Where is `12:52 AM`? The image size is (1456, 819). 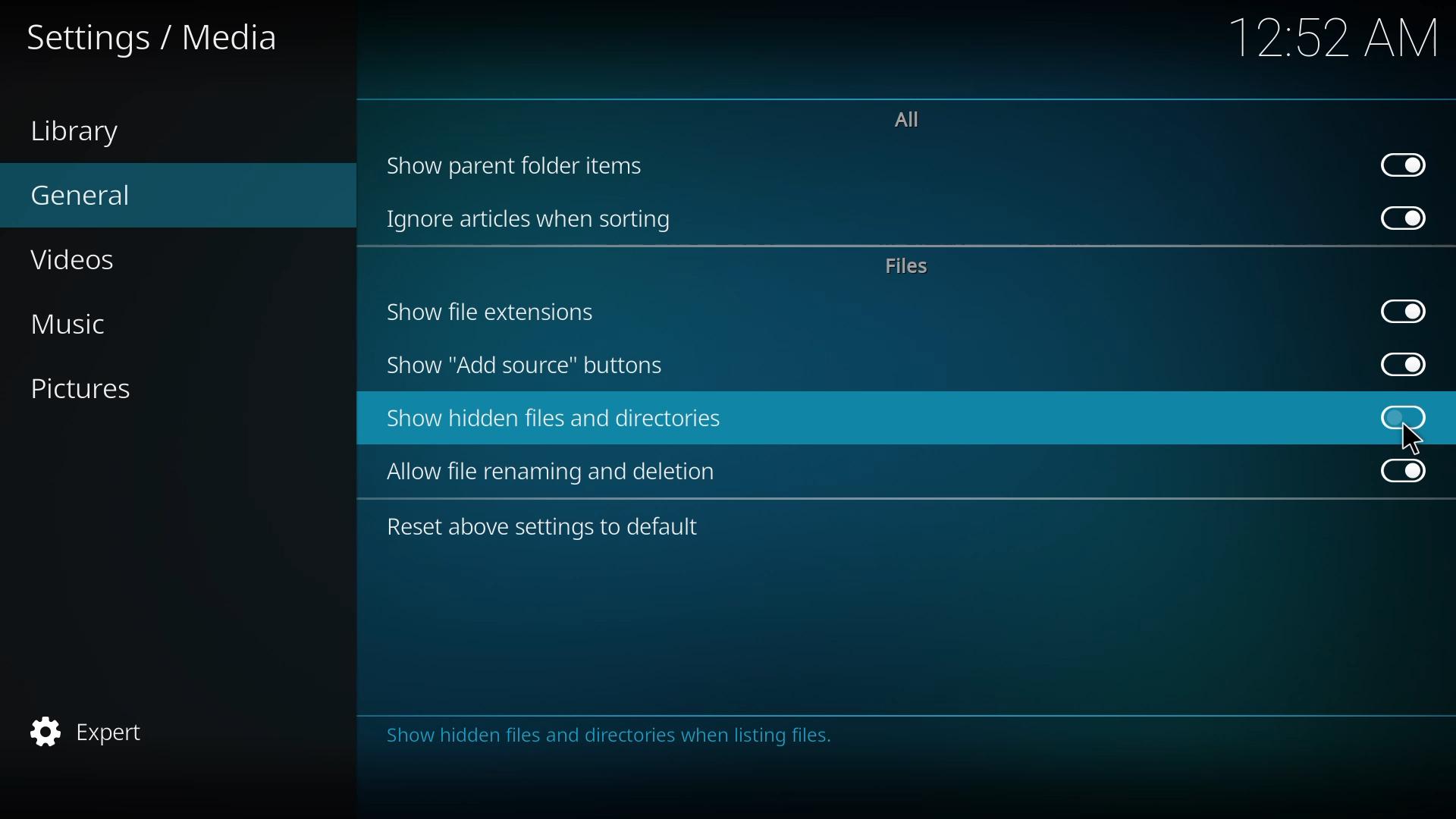
12:52 AM is located at coordinates (1335, 43).